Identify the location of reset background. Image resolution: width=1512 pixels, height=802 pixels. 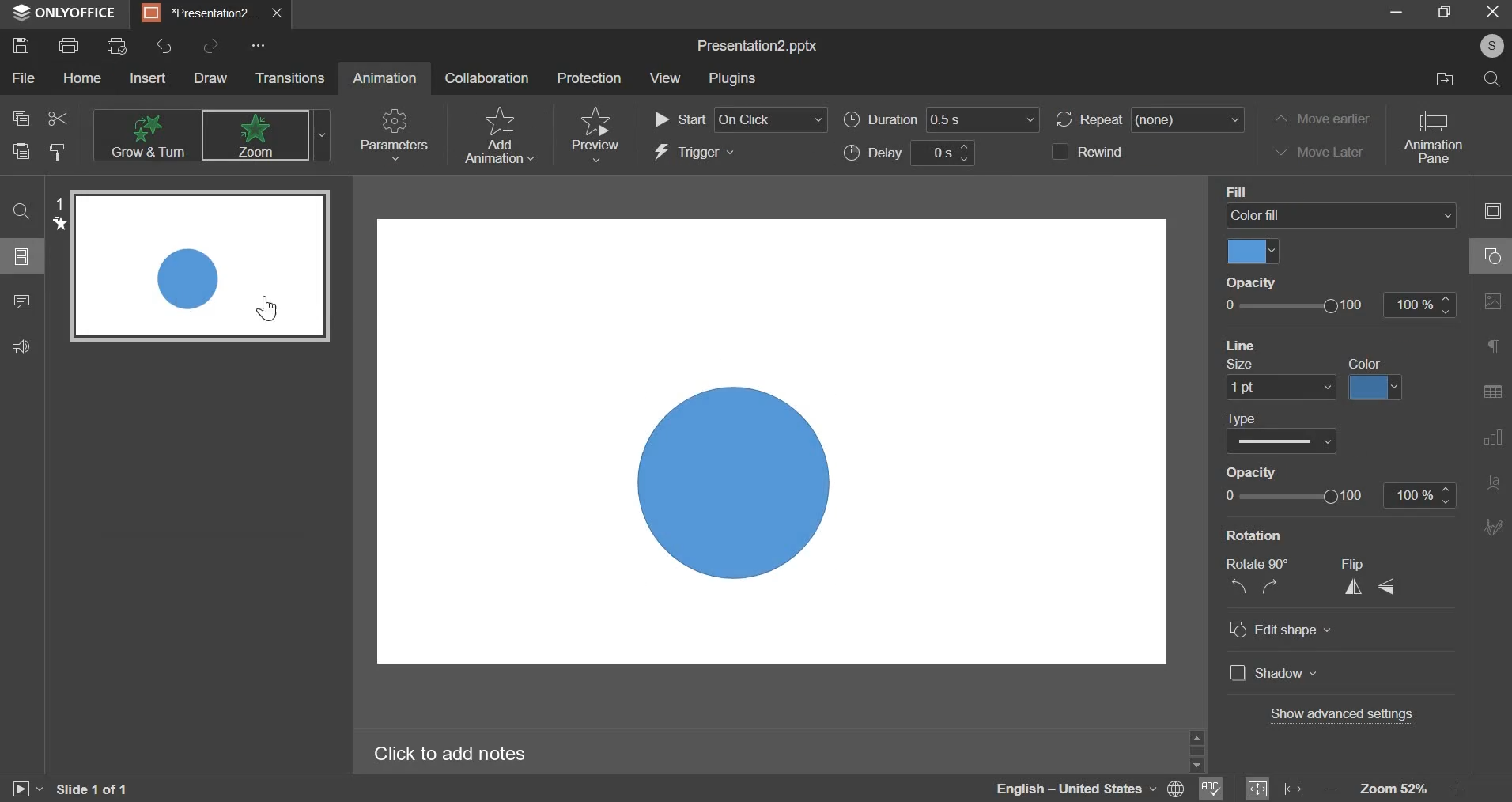
(1300, 345).